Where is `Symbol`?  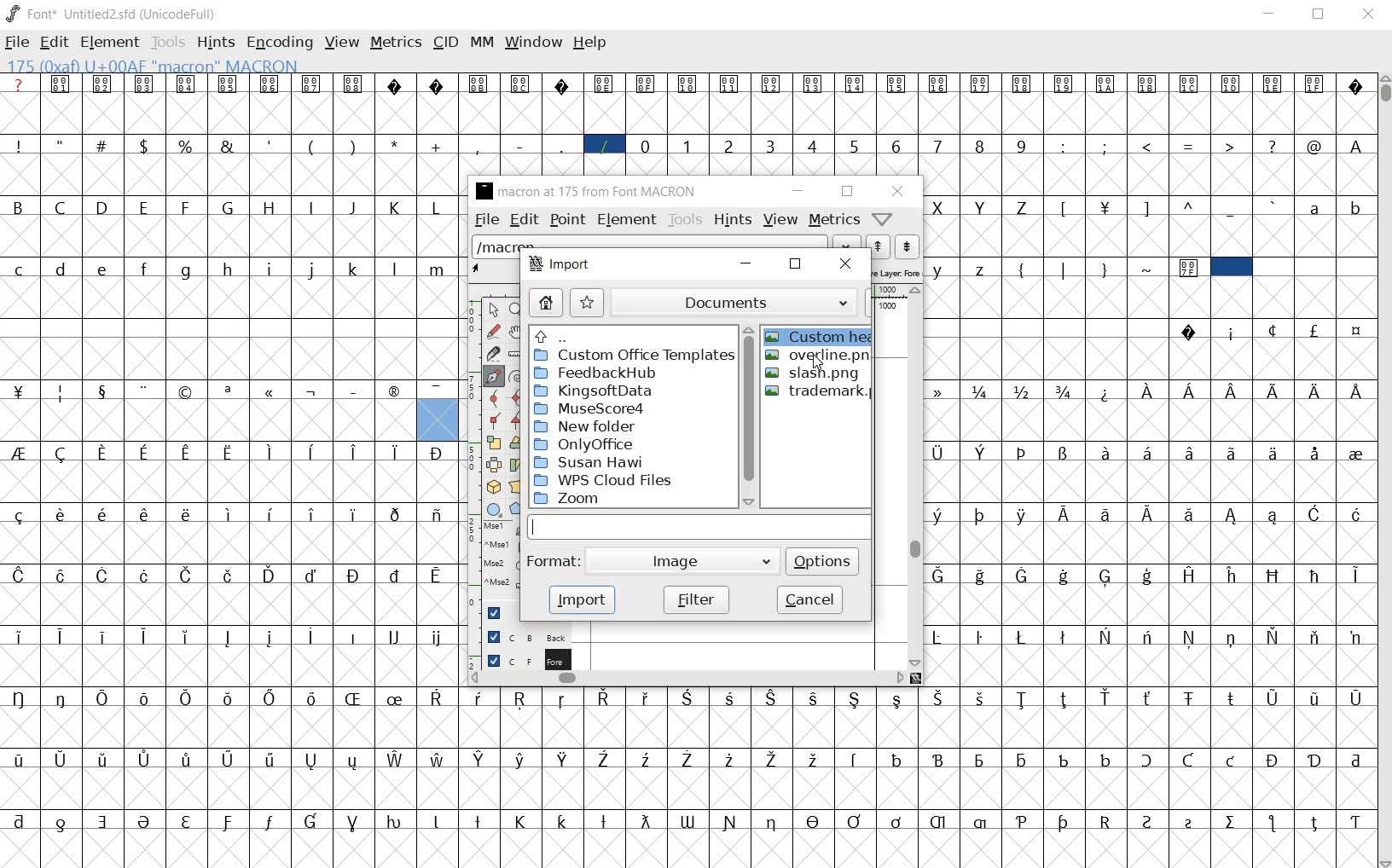 Symbol is located at coordinates (898, 84).